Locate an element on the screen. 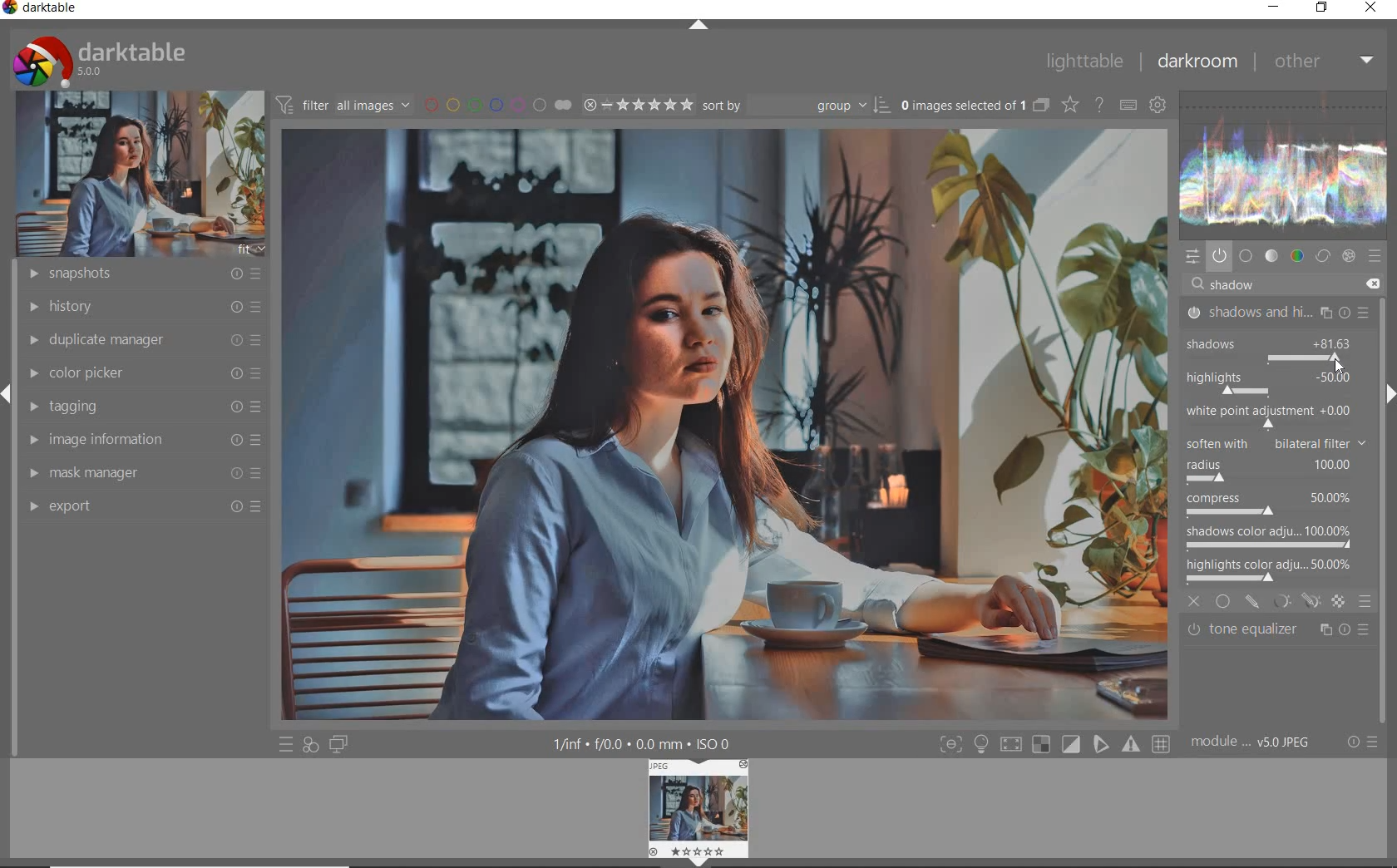 The height and width of the screenshot is (868, 1397). display a second darkroom image widow is located at coordinates (342, 746).